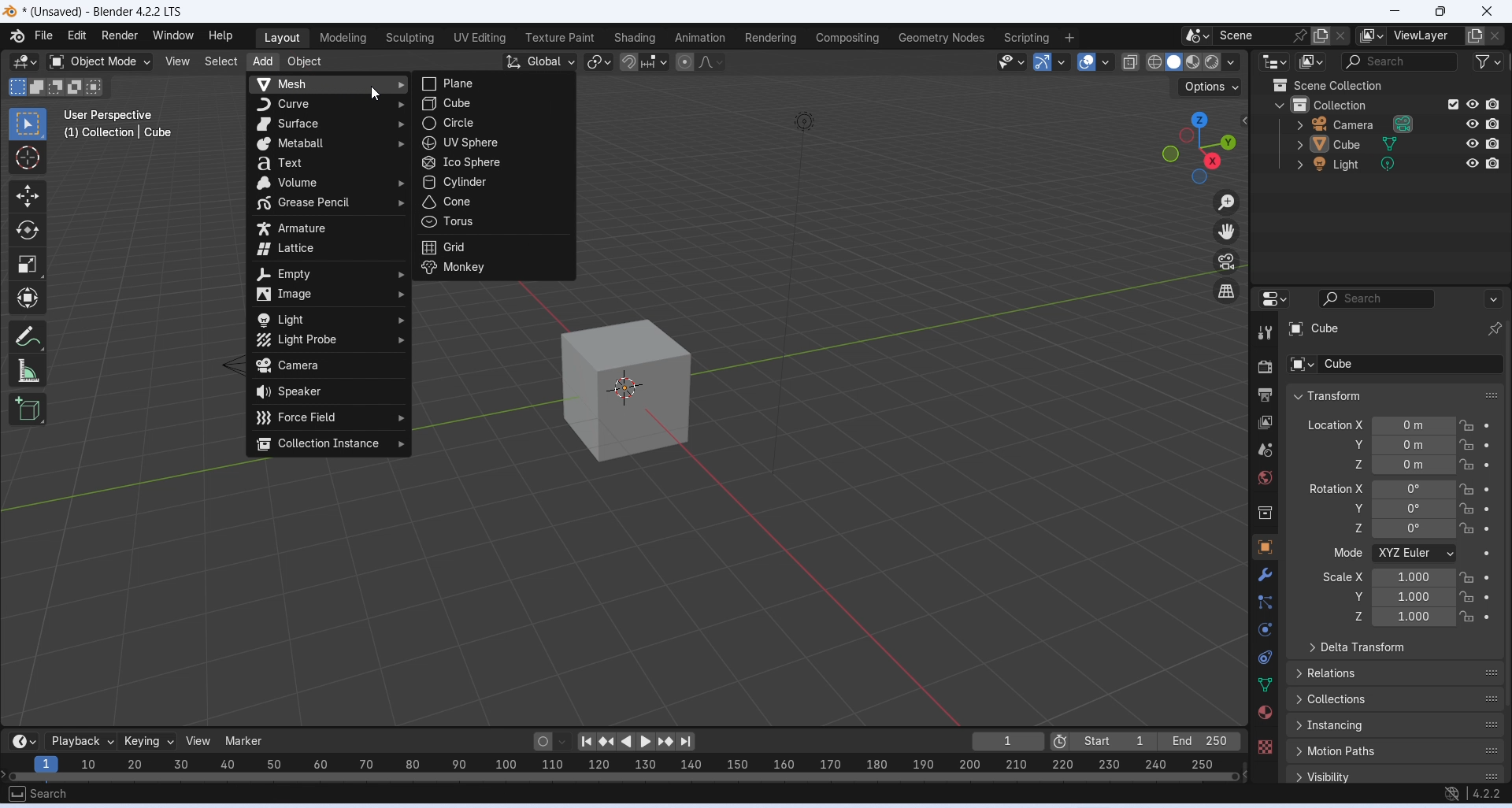  I want to click on world, so click(1266, 477).